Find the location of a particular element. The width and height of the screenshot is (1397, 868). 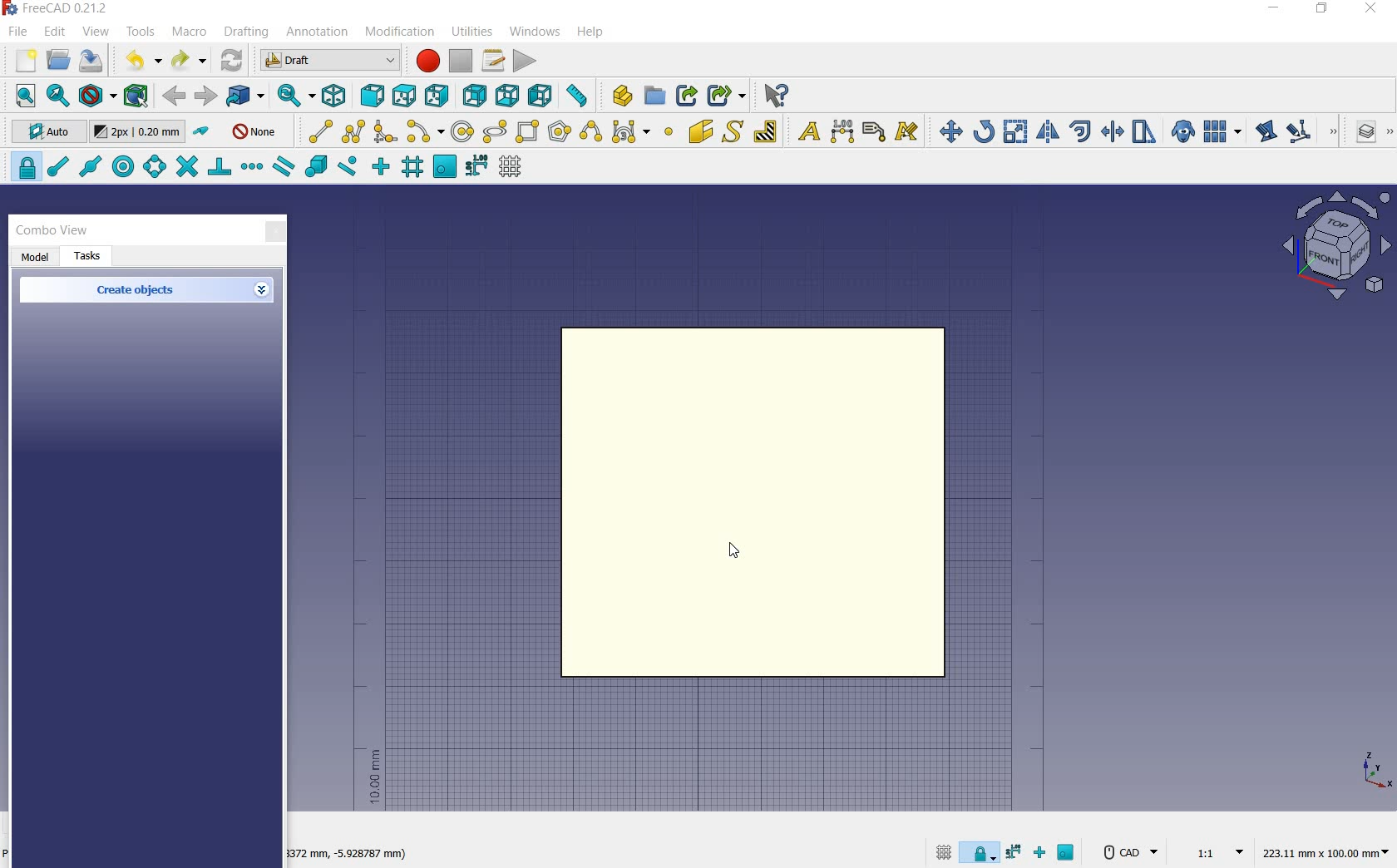

none is located at coordinates (256, 131).